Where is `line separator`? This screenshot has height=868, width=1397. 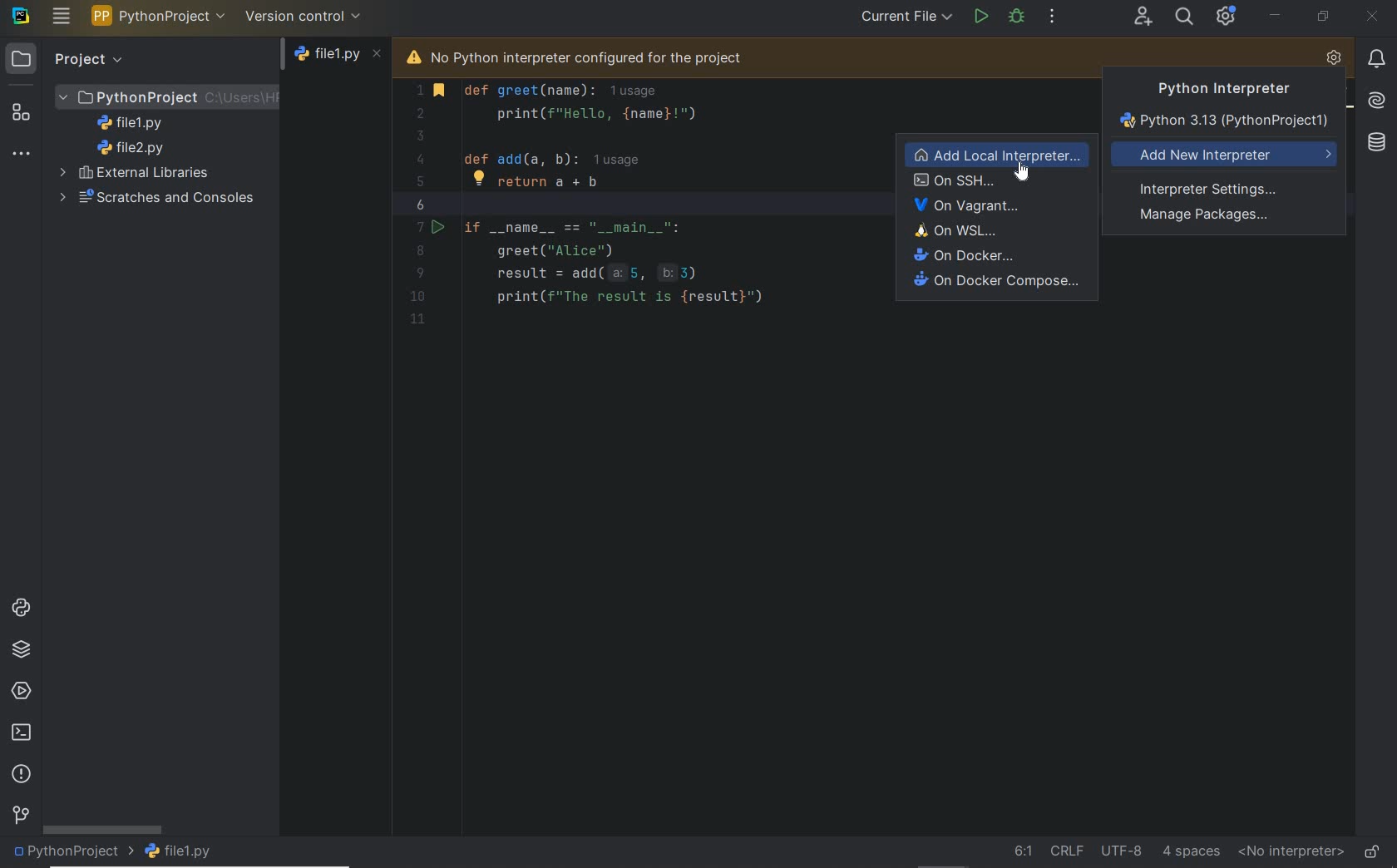
line separator is located at coordinates (1066, 850).